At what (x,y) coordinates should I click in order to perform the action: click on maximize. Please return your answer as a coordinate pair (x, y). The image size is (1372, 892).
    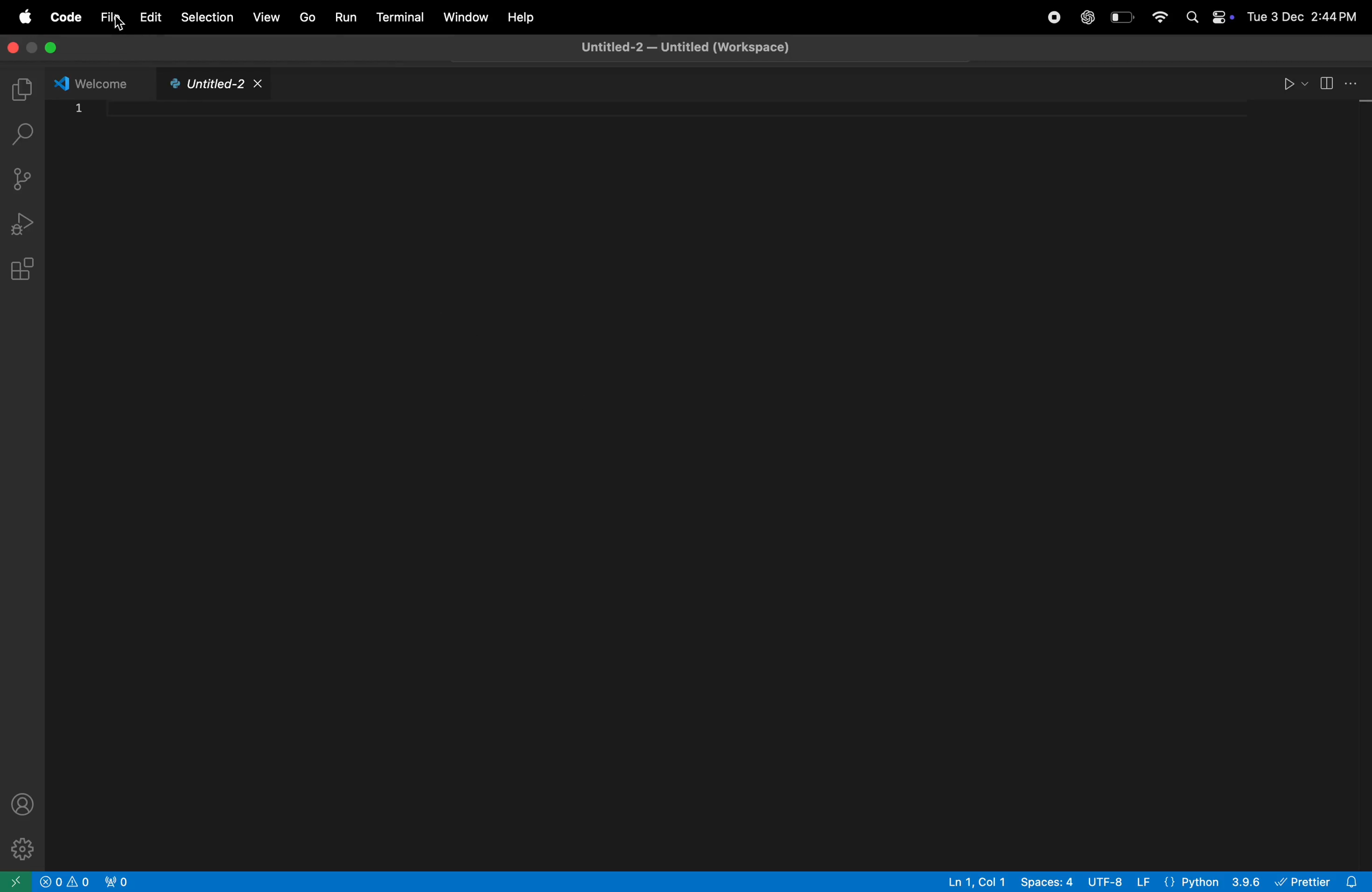
    Looking at the image, I should click on (54, 48).